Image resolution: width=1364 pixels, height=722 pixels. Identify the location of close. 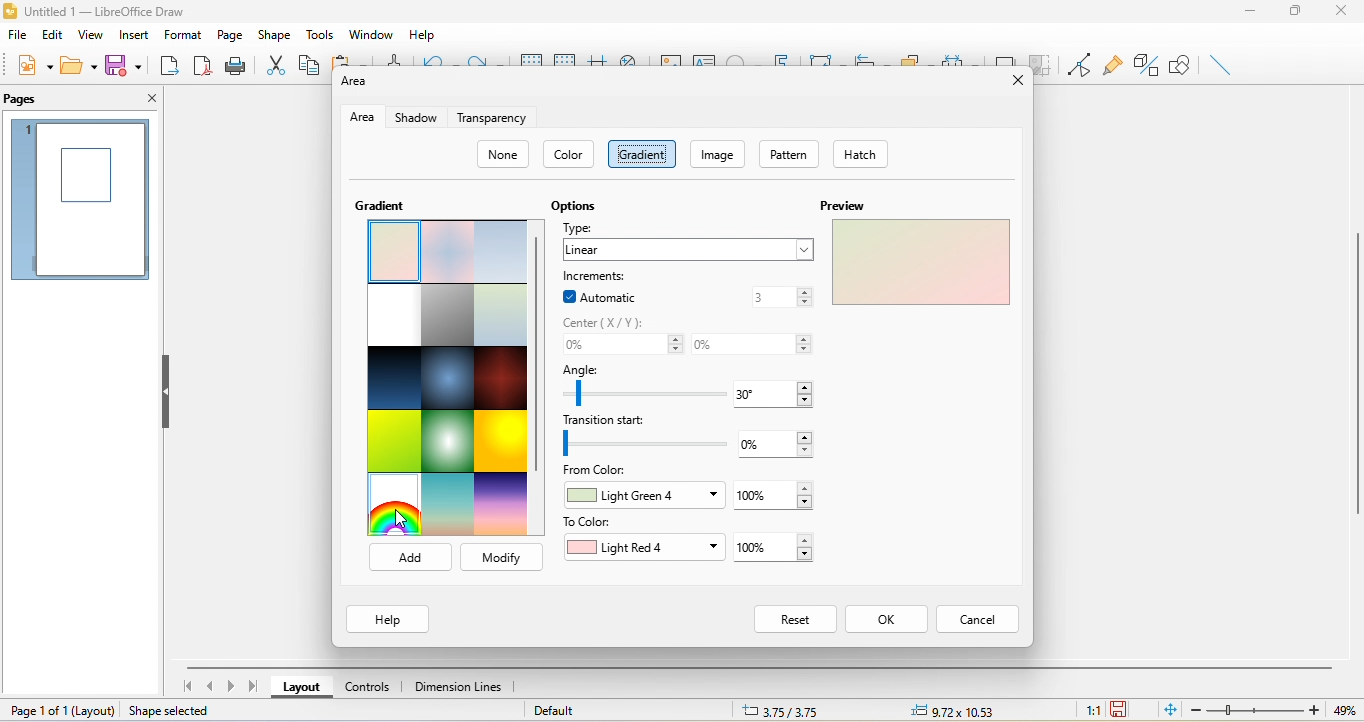
(1012, 80).